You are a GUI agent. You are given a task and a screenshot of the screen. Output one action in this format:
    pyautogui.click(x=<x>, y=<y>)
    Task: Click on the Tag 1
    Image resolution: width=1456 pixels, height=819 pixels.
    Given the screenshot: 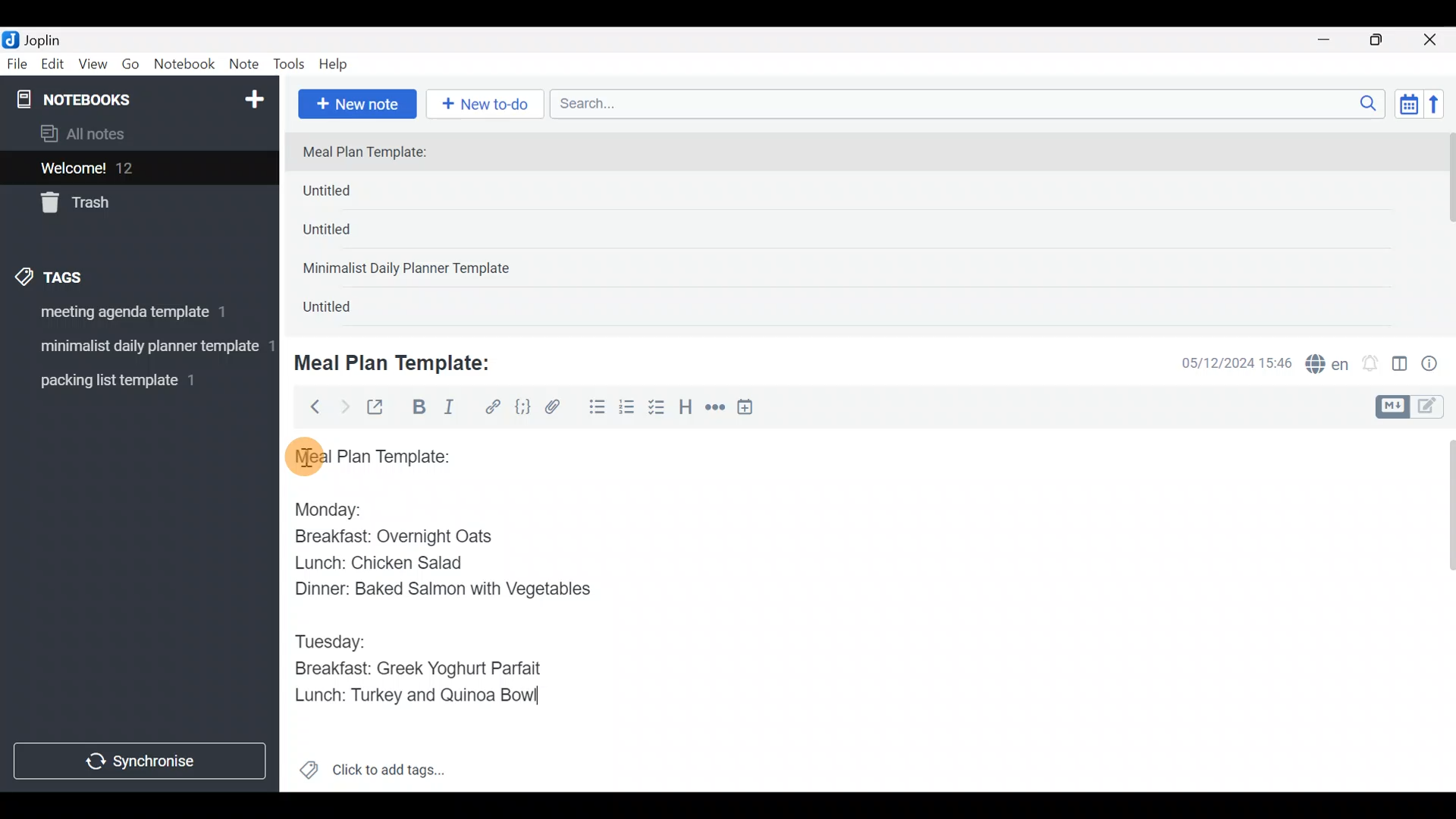 What is the action you would take?
    pyautogui.click(x=135, y=316)
    